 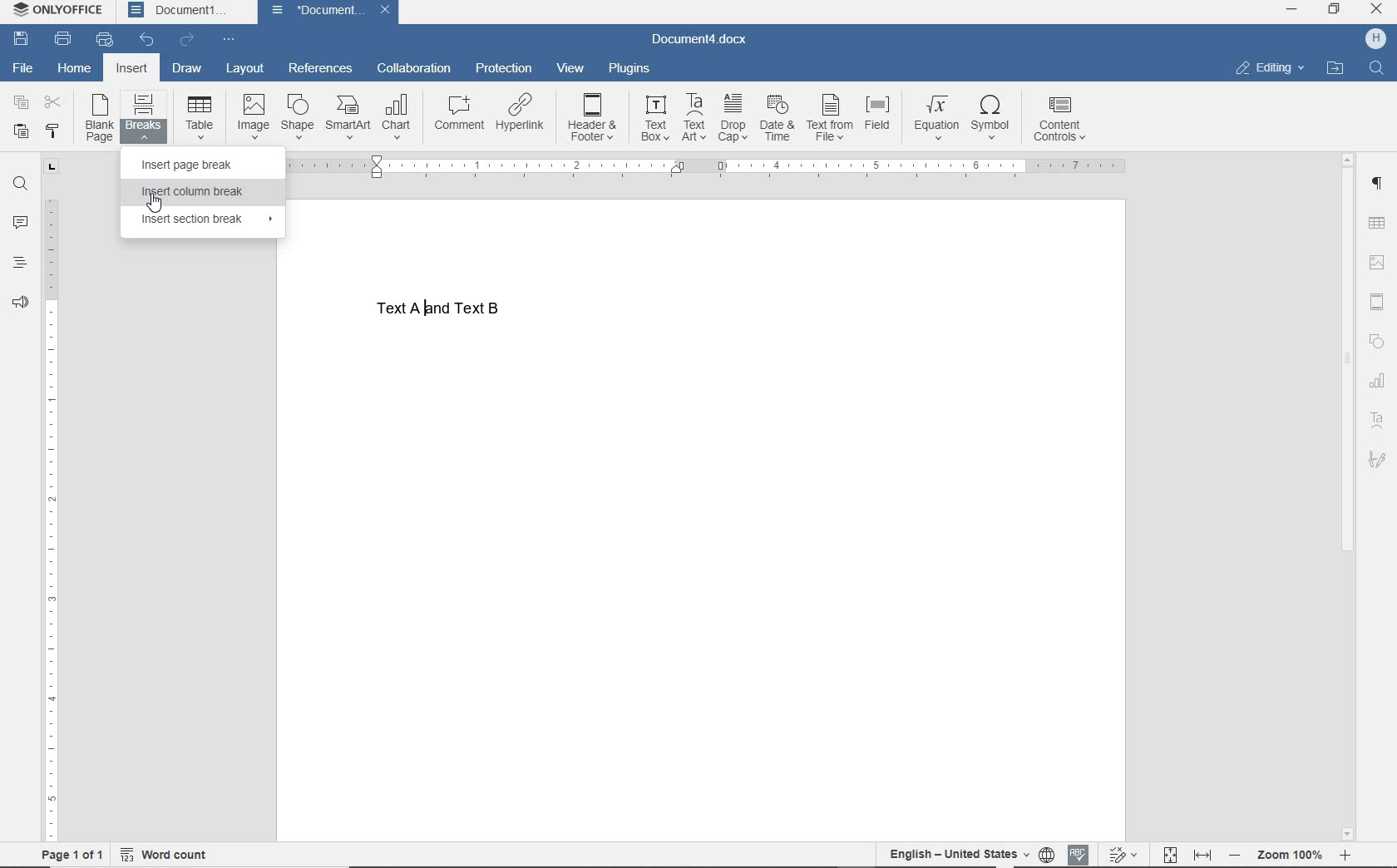 What do you see at coordinates (1376, 264) in the screenshot?
I see `IMAGE` at bounding box center [1376, 264].